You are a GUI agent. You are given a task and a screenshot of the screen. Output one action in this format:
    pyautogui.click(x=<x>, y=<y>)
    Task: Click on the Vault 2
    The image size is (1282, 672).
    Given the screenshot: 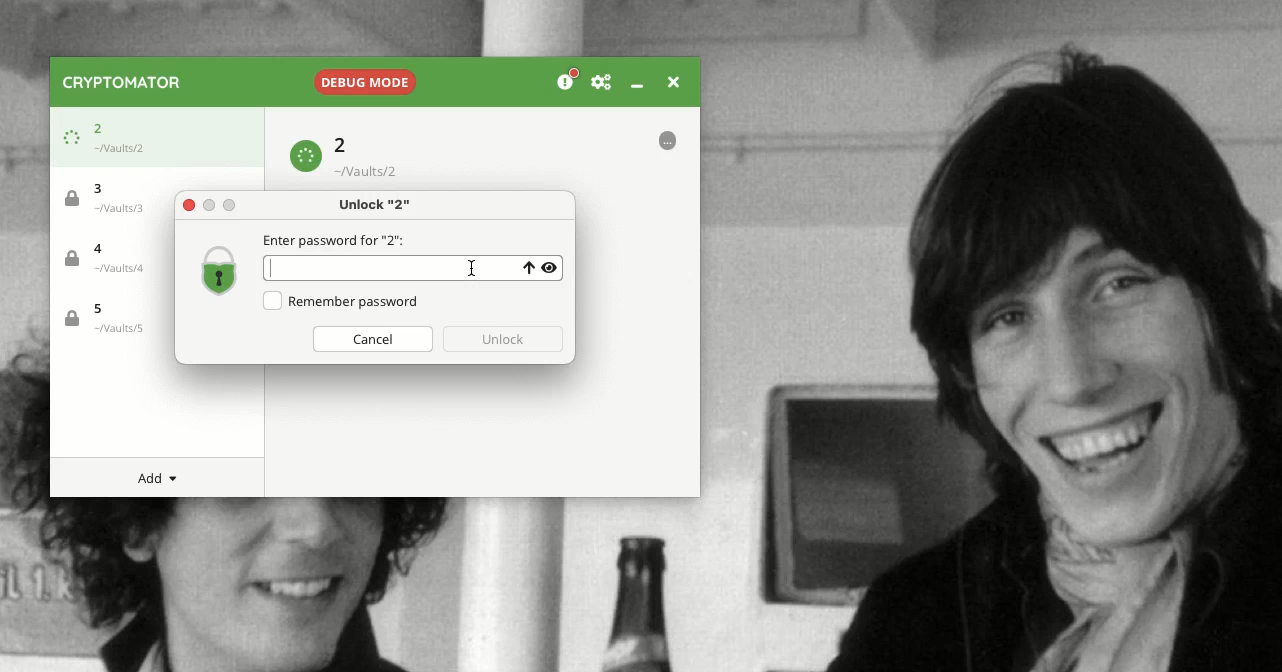 What is the action you would take?
    pyautogui.click(x=126, y=134)
    